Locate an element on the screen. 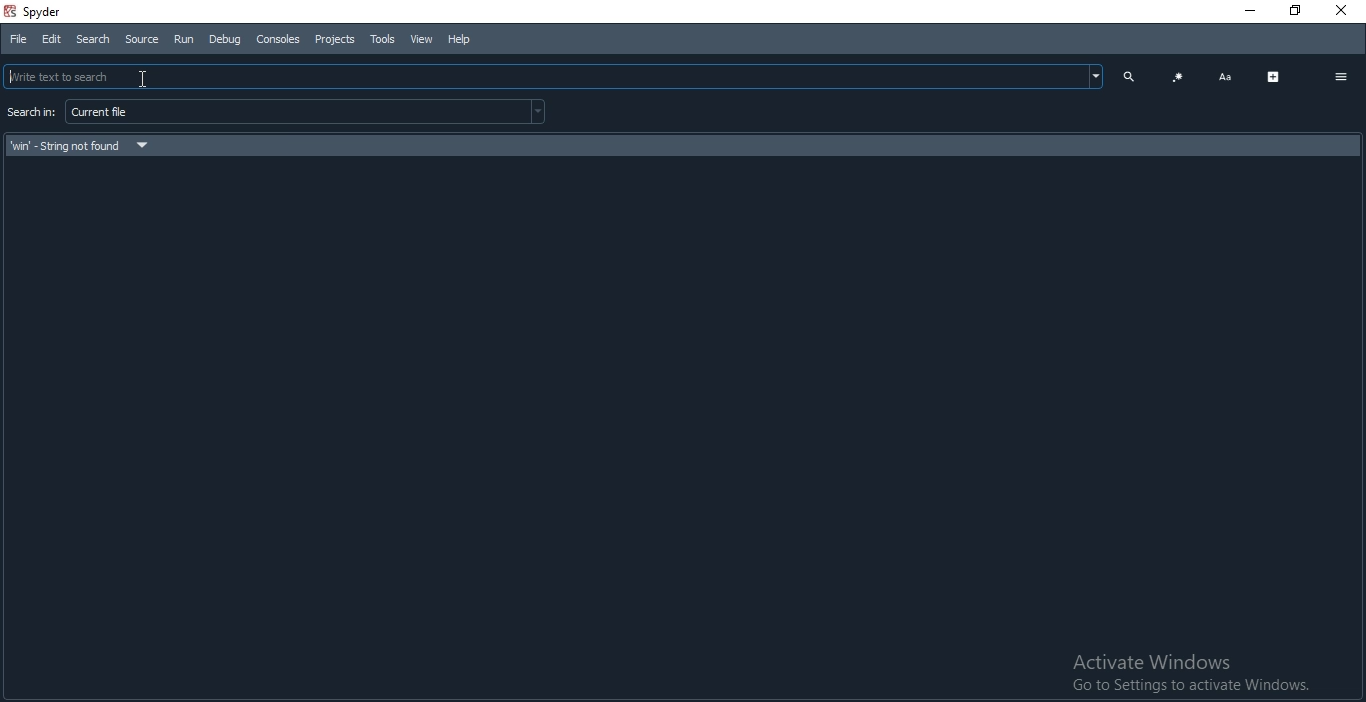  current file is located at coordinates (307, 111).